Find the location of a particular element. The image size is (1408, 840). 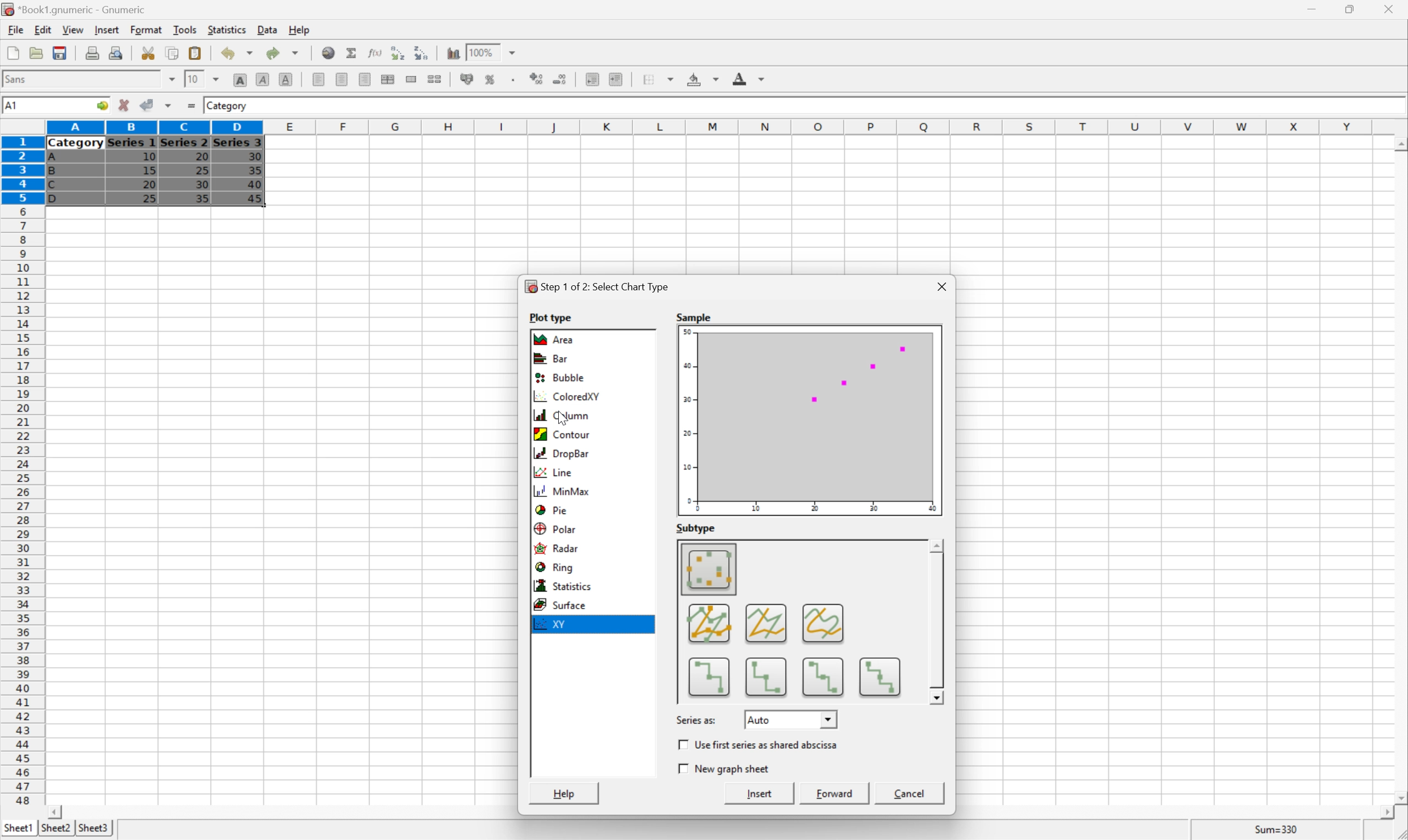

Copy selection is located at coordinates (173, 52).